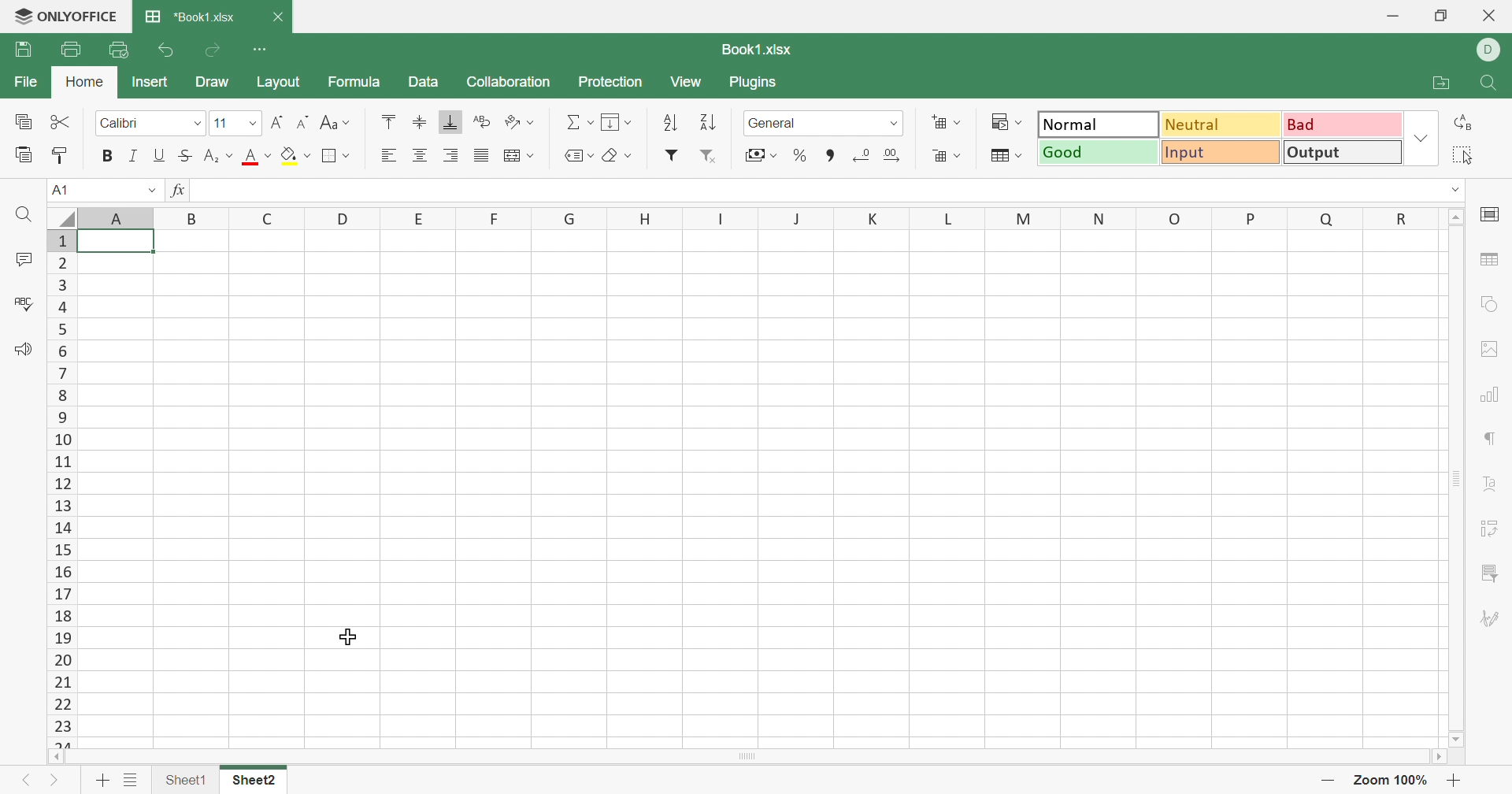  What do you see at coordinates (253, 122) in the screenshot?
I see `Drop Down` at bounding box center [253, 122].